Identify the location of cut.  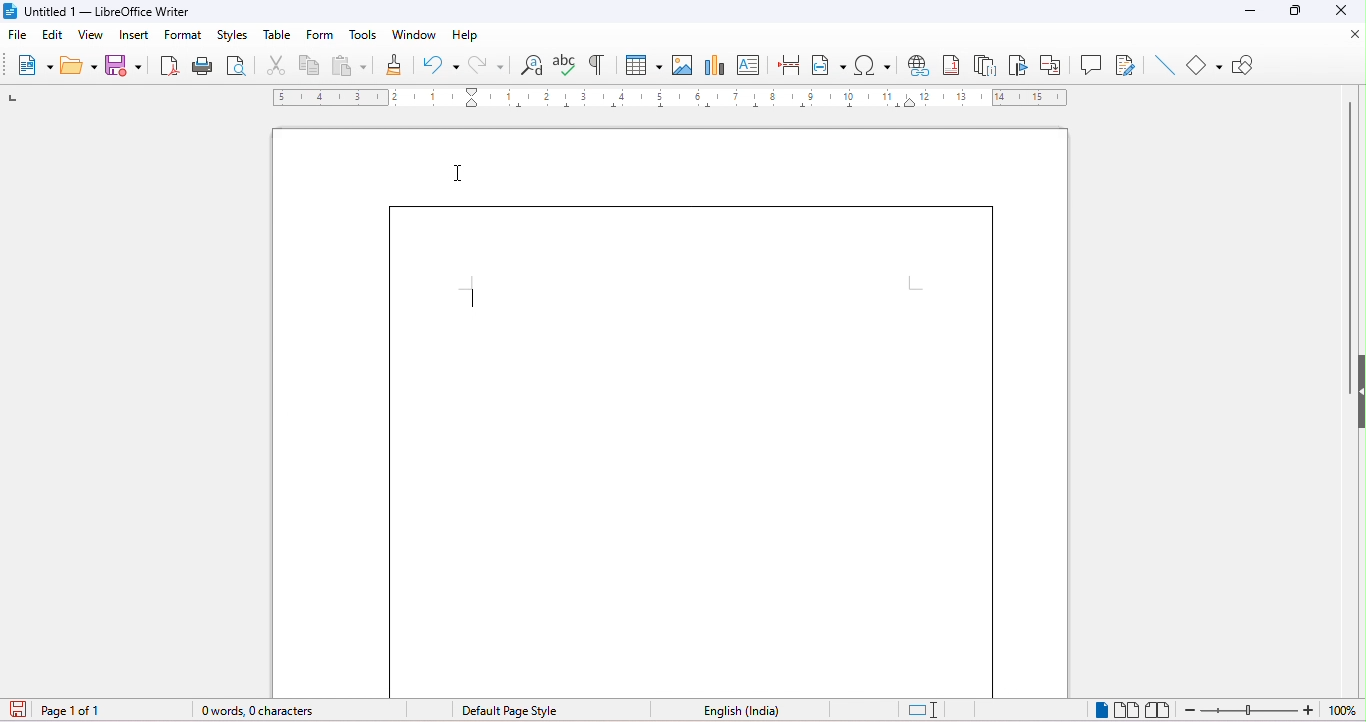
(275, 67).